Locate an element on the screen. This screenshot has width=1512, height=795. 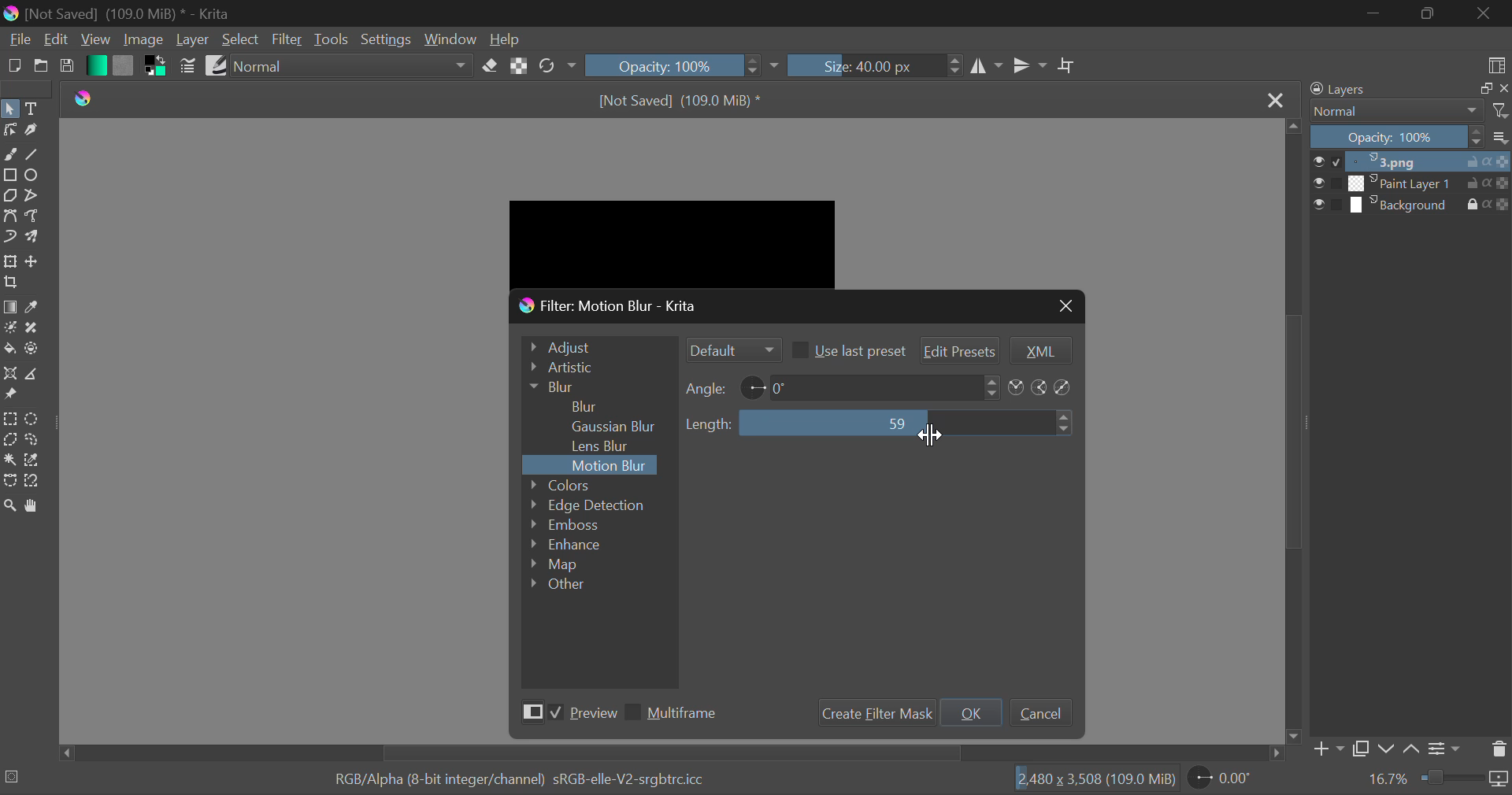
0 degree is located at coordinates (875, 386).